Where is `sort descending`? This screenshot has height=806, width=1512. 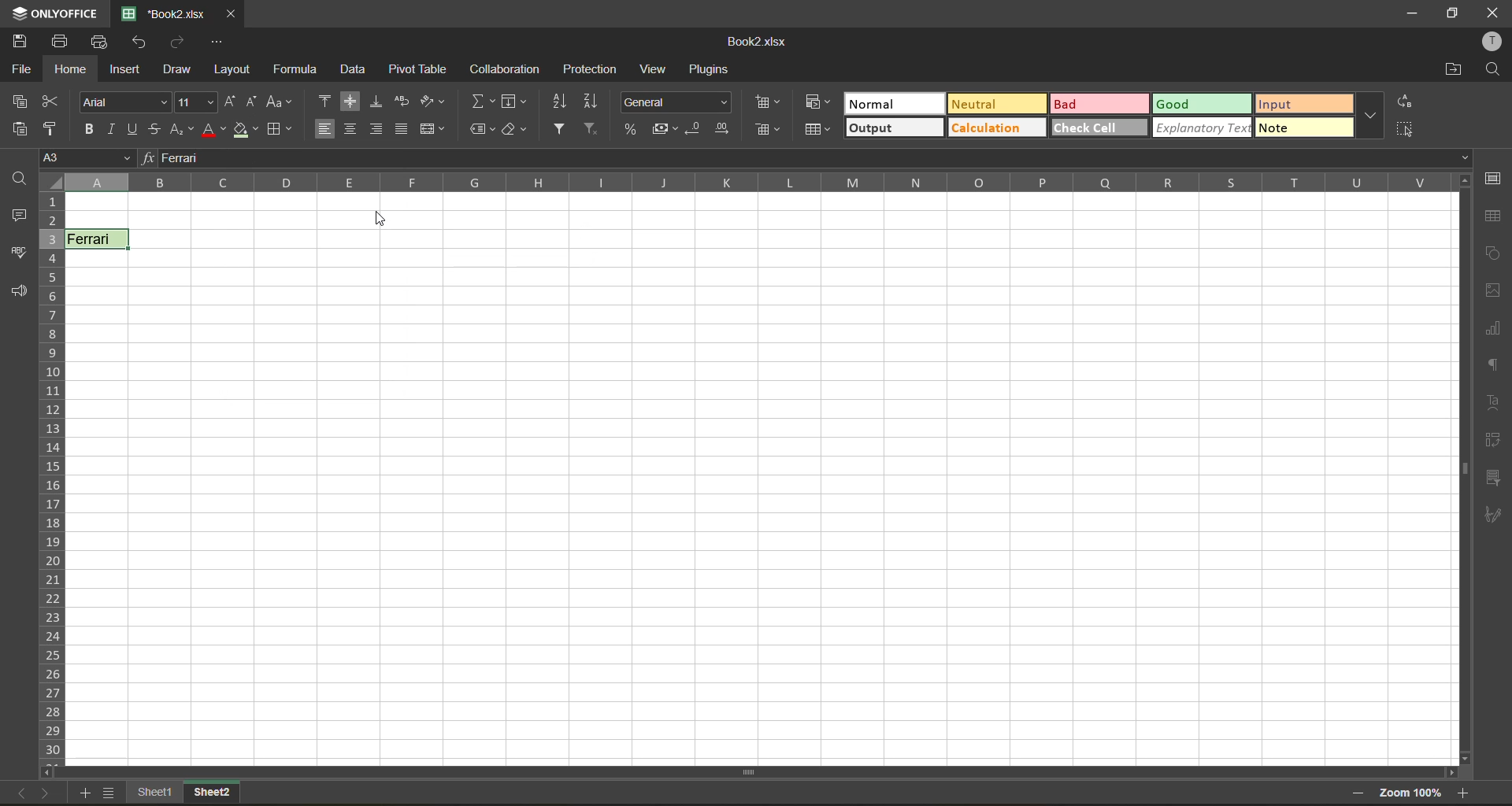
sort descending is located at coordinates (591, 102).